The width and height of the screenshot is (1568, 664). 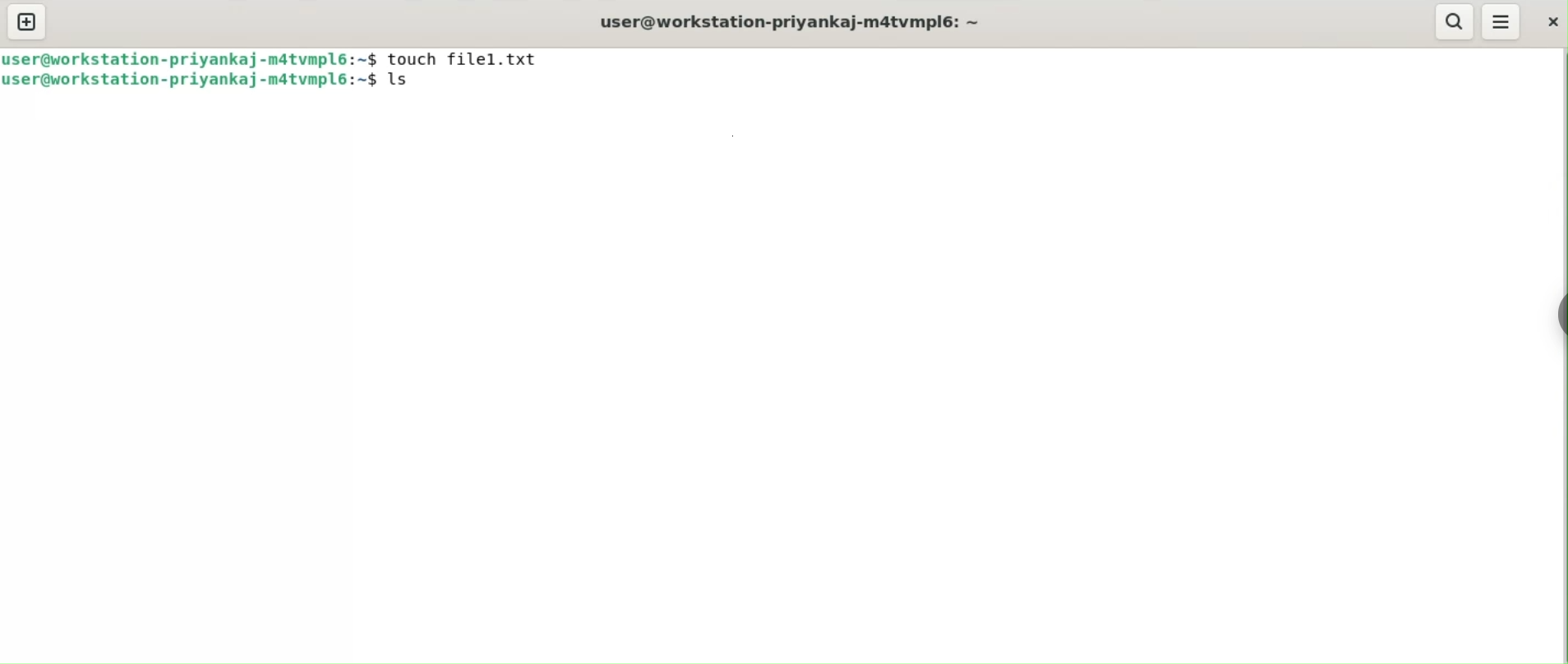 I want to click on close, so click(x=1554, y=24).